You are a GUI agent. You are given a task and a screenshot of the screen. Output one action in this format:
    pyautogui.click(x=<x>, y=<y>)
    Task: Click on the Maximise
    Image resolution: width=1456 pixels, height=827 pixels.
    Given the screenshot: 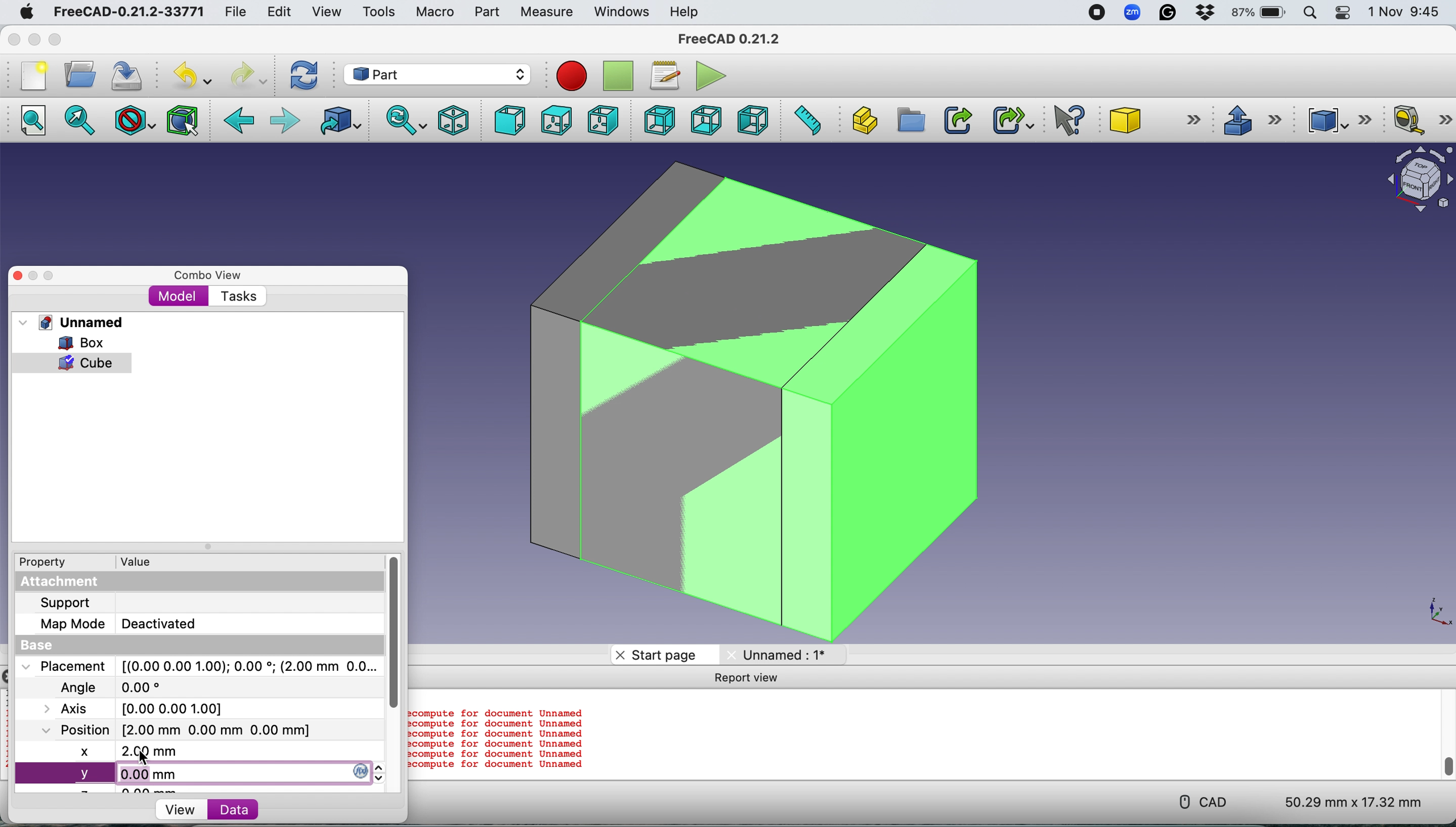 What is the action you would take?
    pyautogui.click(x=56, y=40)
    